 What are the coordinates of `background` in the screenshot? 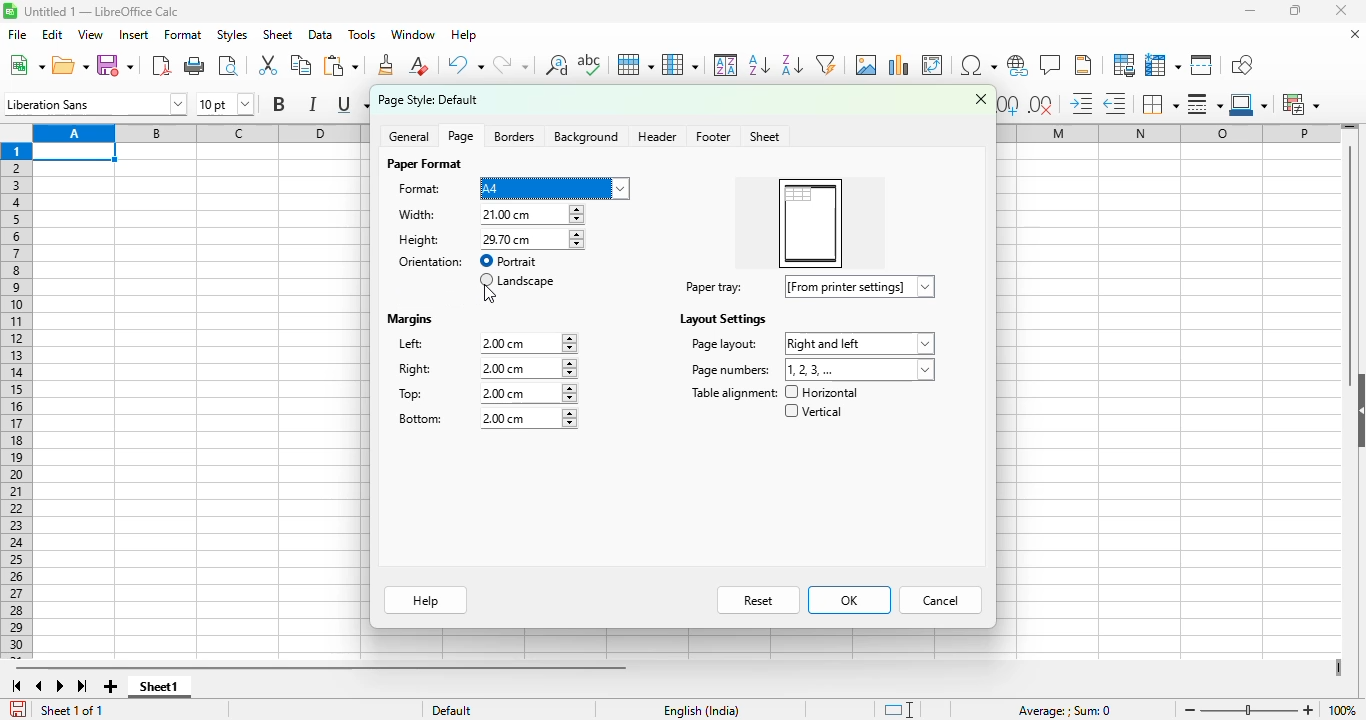 It's located at (588, 137).